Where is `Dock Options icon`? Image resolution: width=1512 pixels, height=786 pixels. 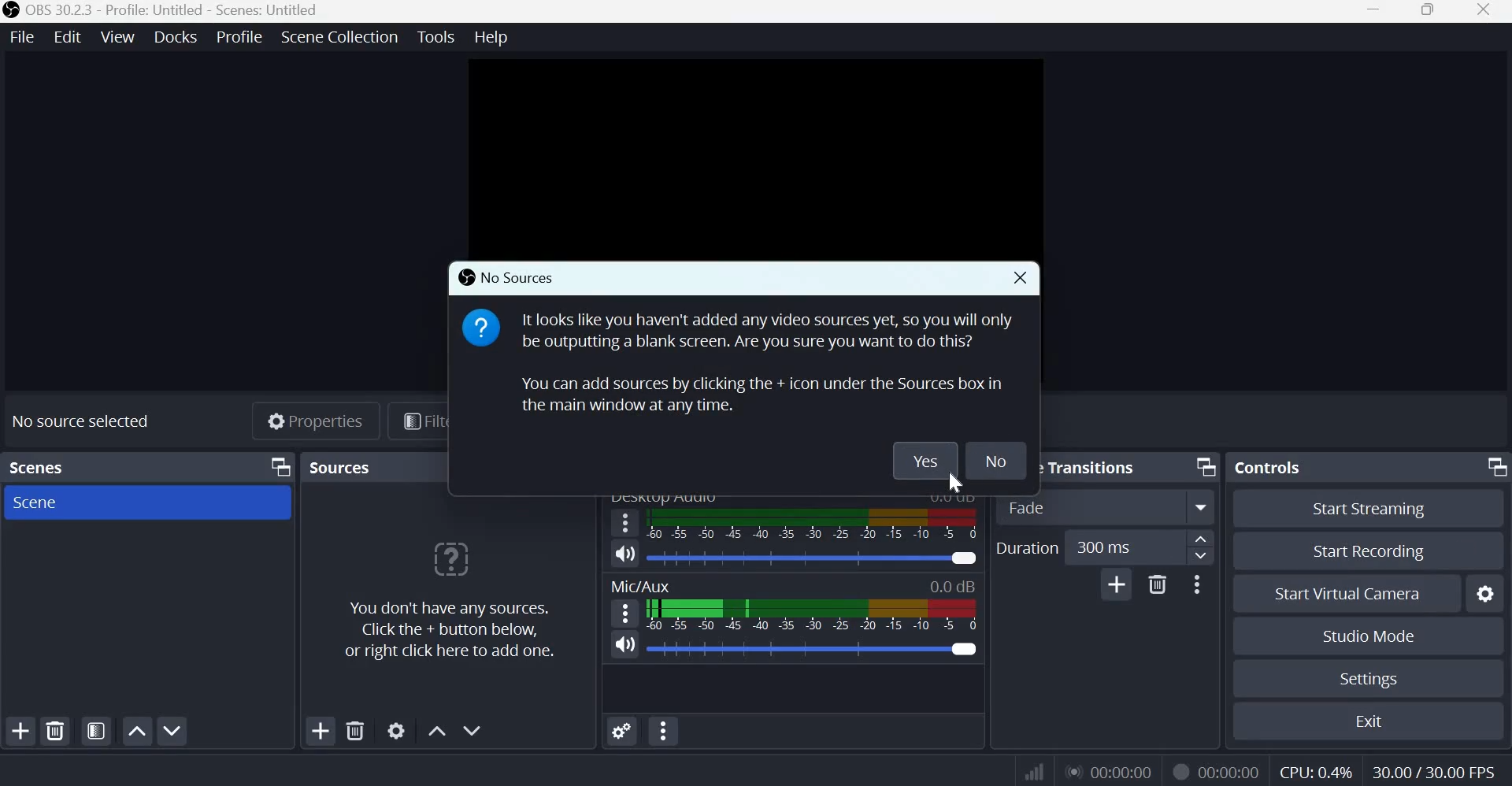 Dock Options icon is located at coordinates (278, 467).